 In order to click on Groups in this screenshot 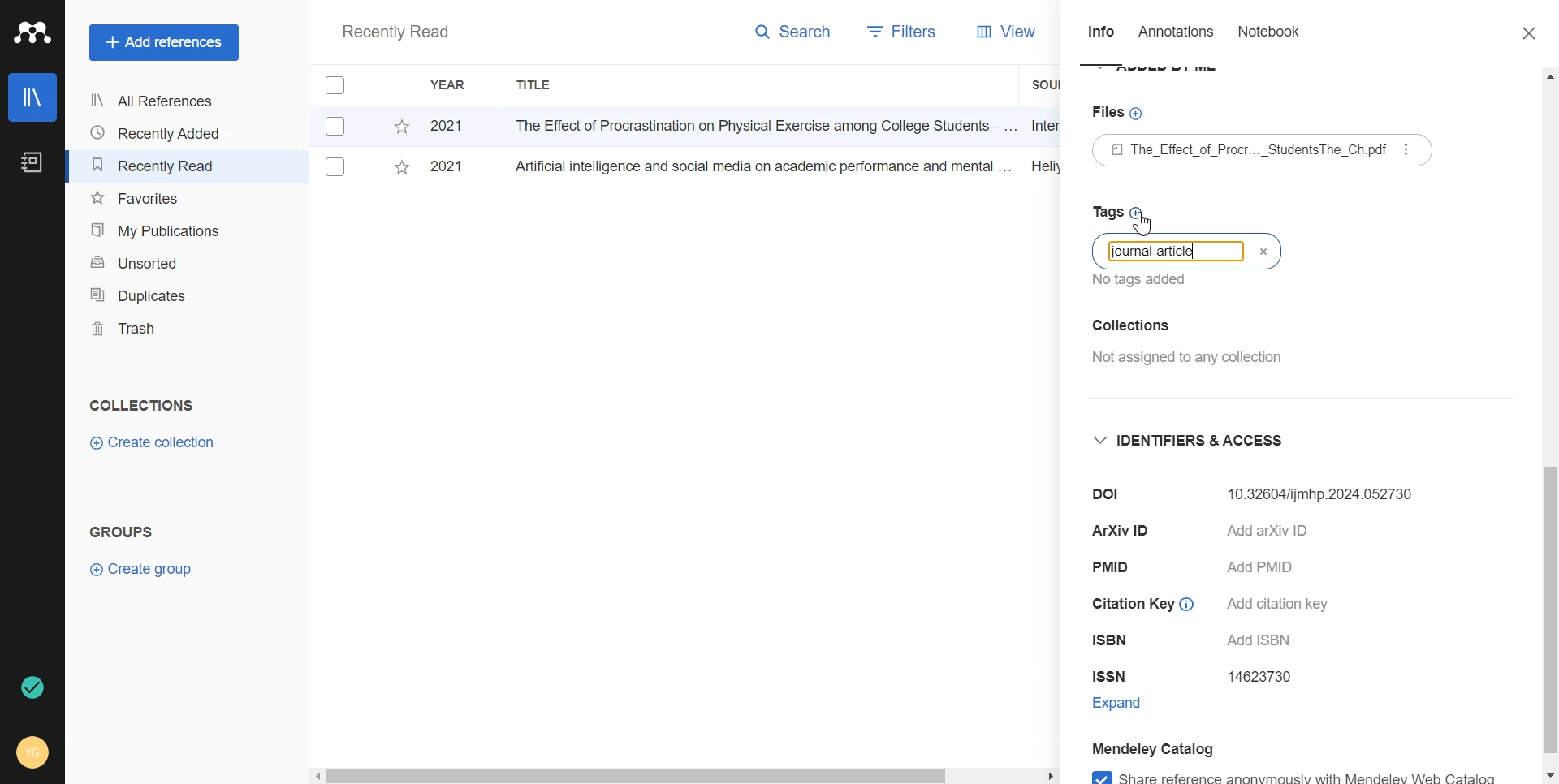, I will do `click(126, 532)`.